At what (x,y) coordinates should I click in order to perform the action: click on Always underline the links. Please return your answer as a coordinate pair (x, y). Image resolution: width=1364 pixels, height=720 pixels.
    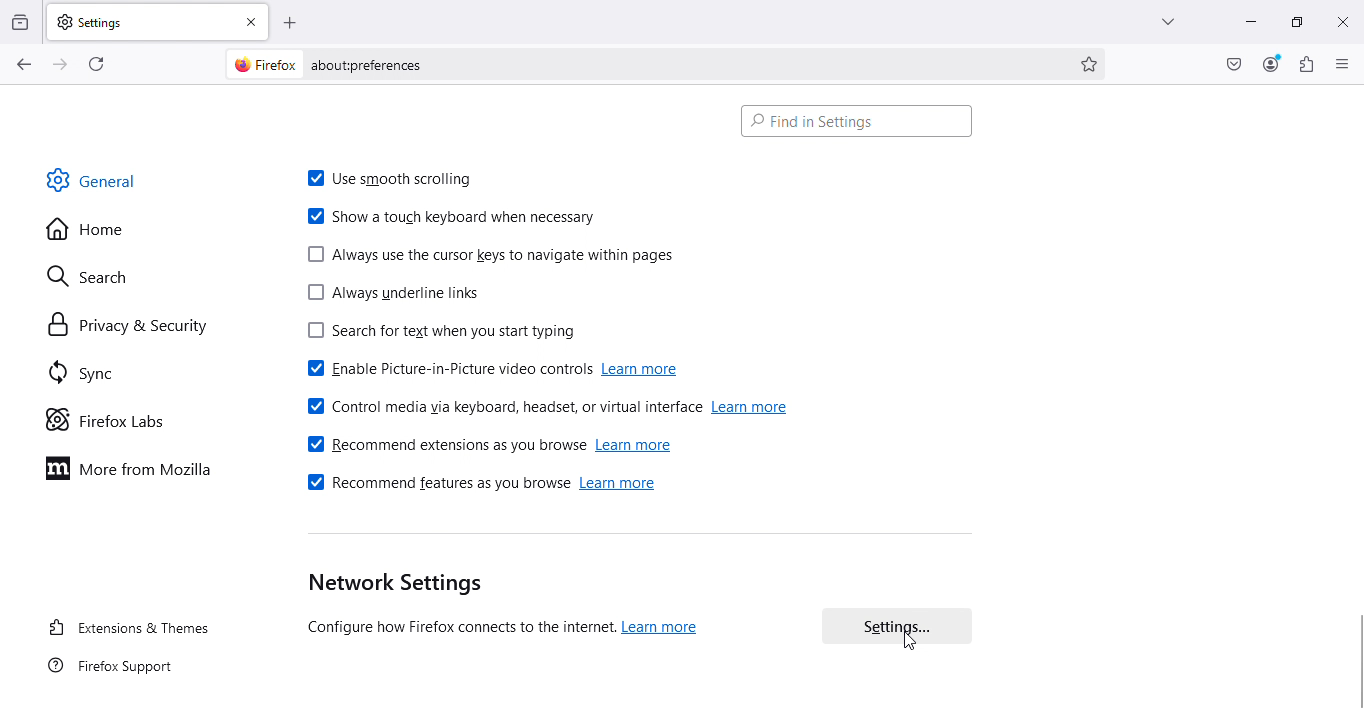
    Looking at the image, I should click on (392, 296).